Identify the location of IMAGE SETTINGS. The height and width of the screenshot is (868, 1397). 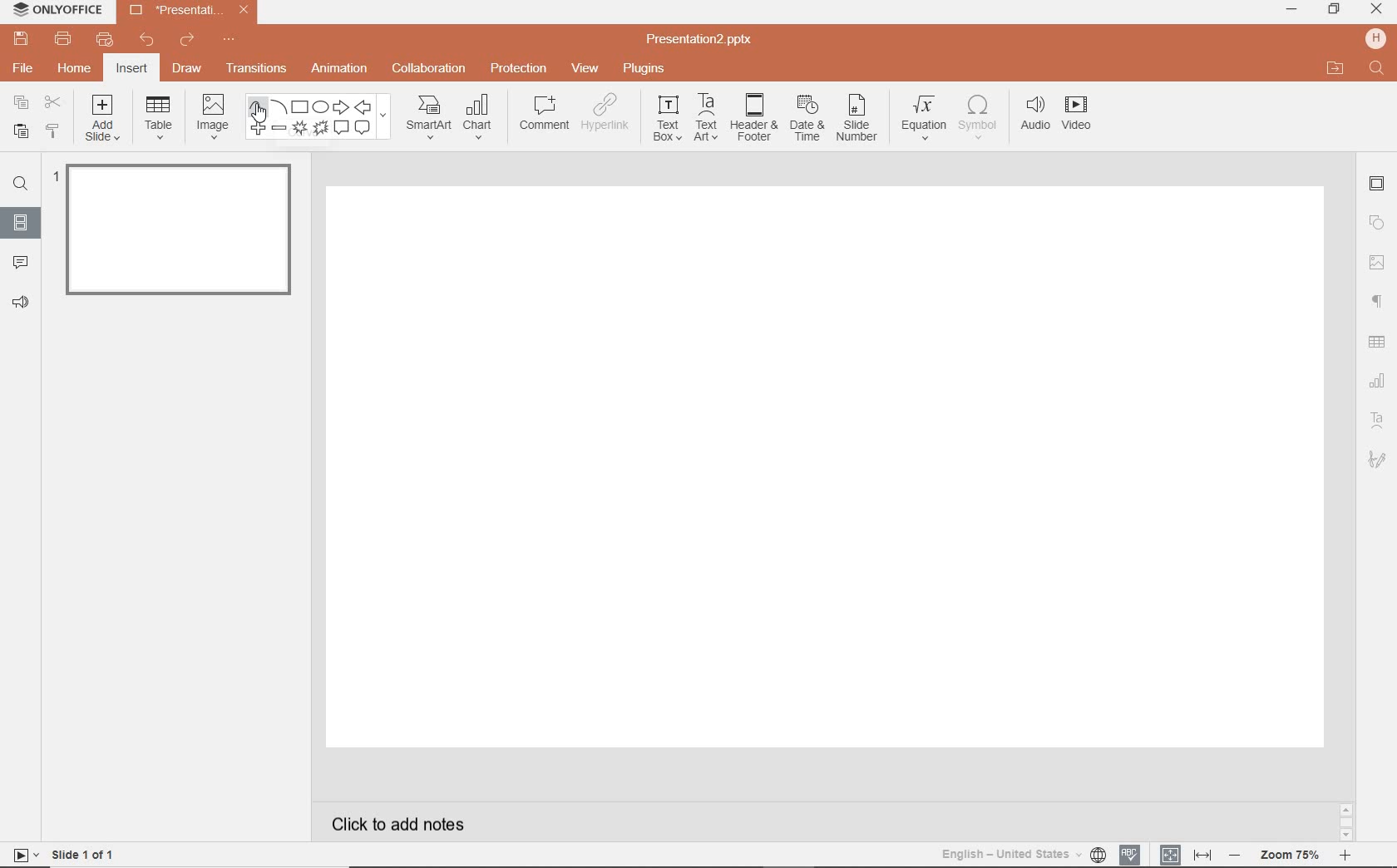
(1378, 262).